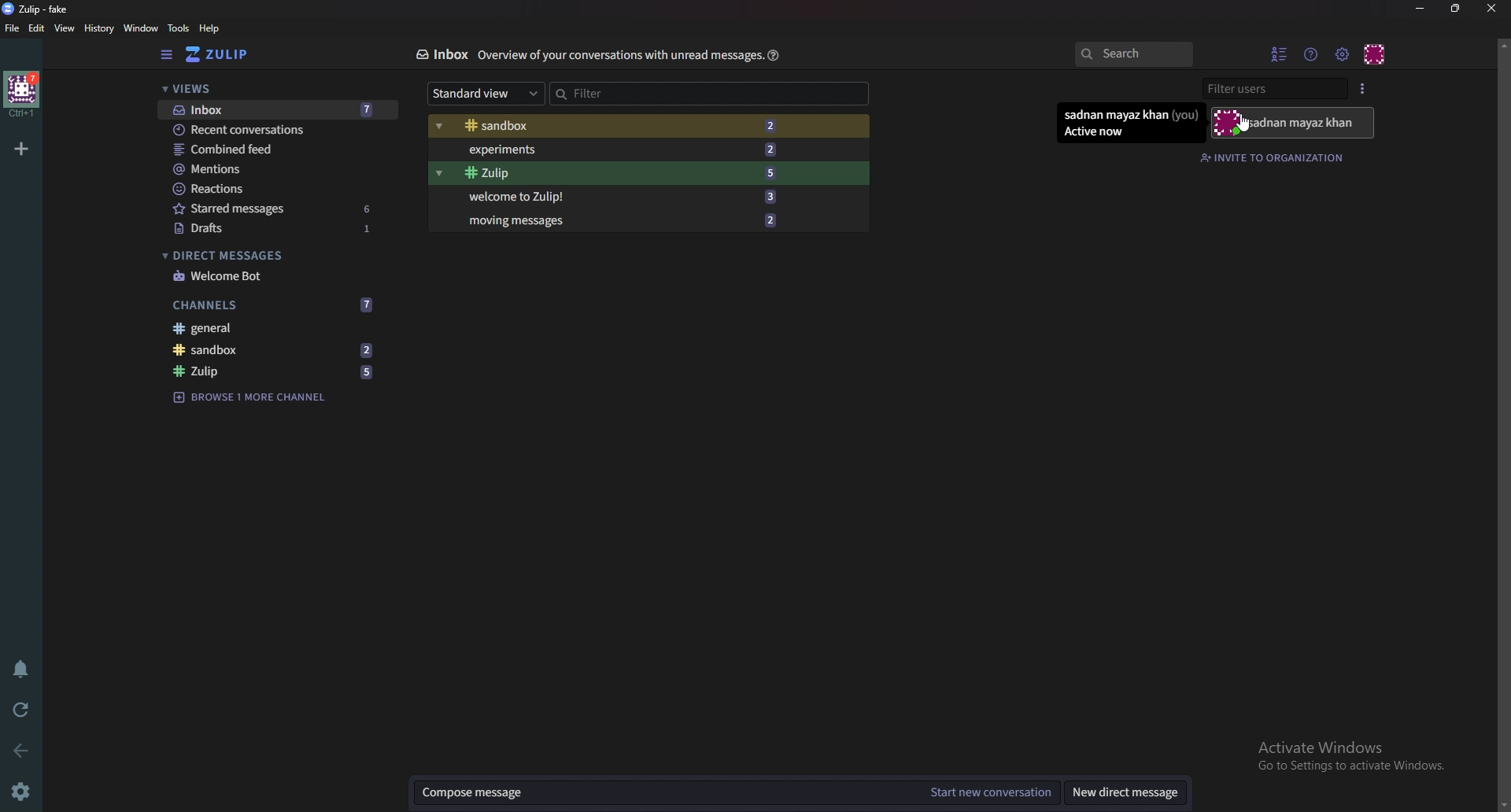 This screenshot has width=1511, height=812. What do you see at coordinates (441, 55) in the screenshot?
I see `Inbox` at bounding box center [441, 55].